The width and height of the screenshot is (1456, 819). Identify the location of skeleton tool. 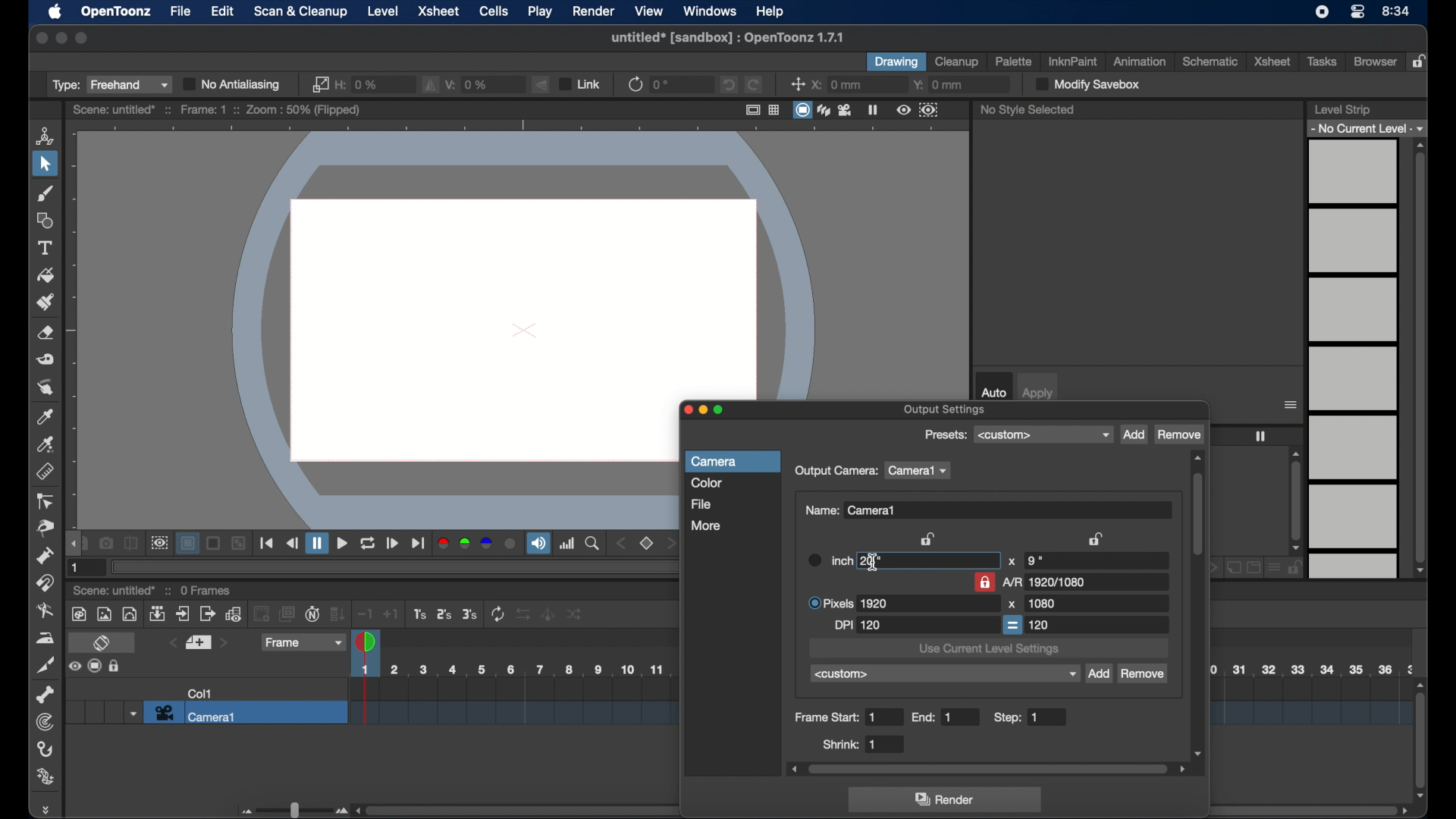
(45, 695).